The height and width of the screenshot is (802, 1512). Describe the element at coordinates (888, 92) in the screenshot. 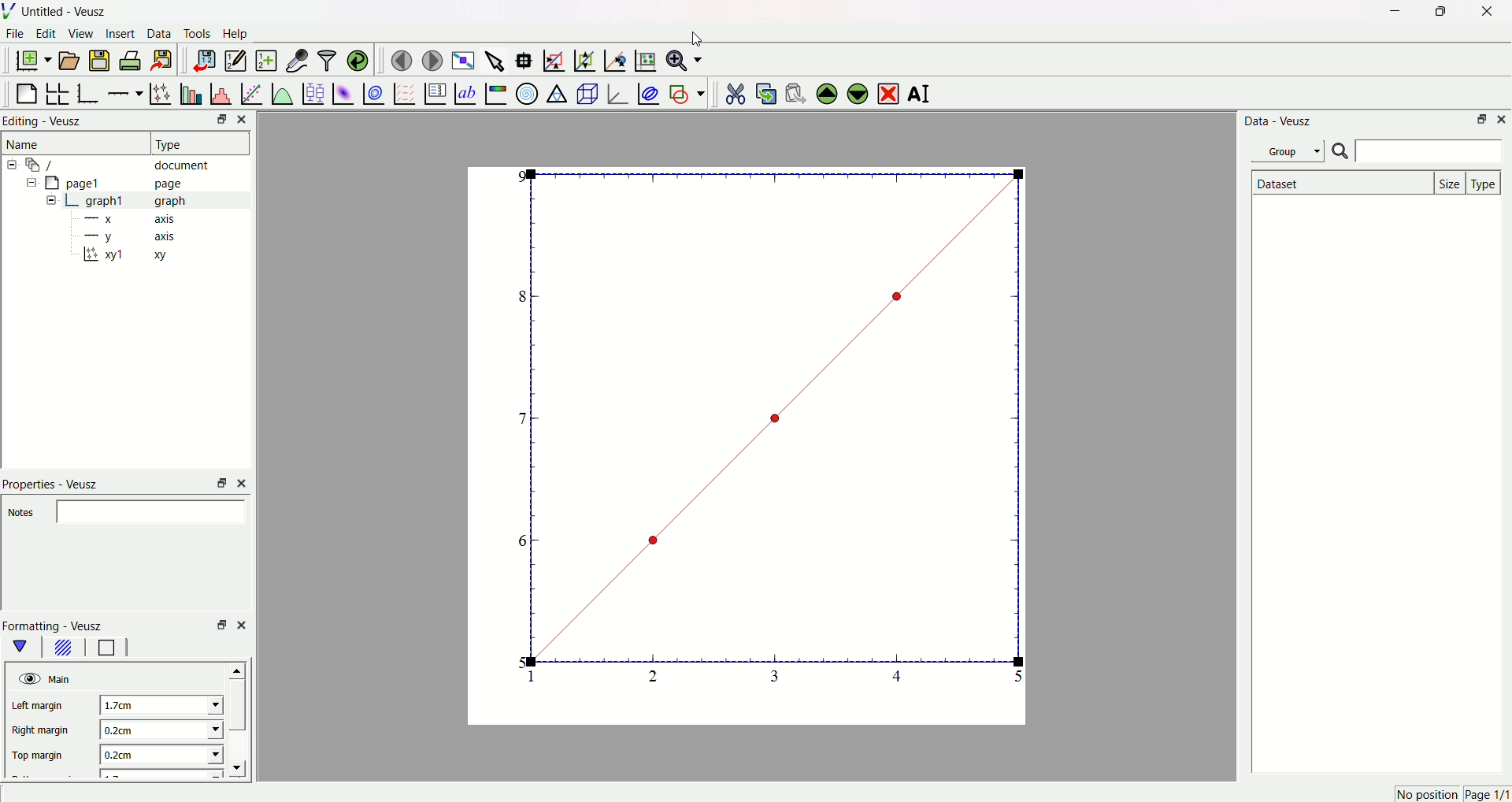

I see `remove the widgets` at that location.